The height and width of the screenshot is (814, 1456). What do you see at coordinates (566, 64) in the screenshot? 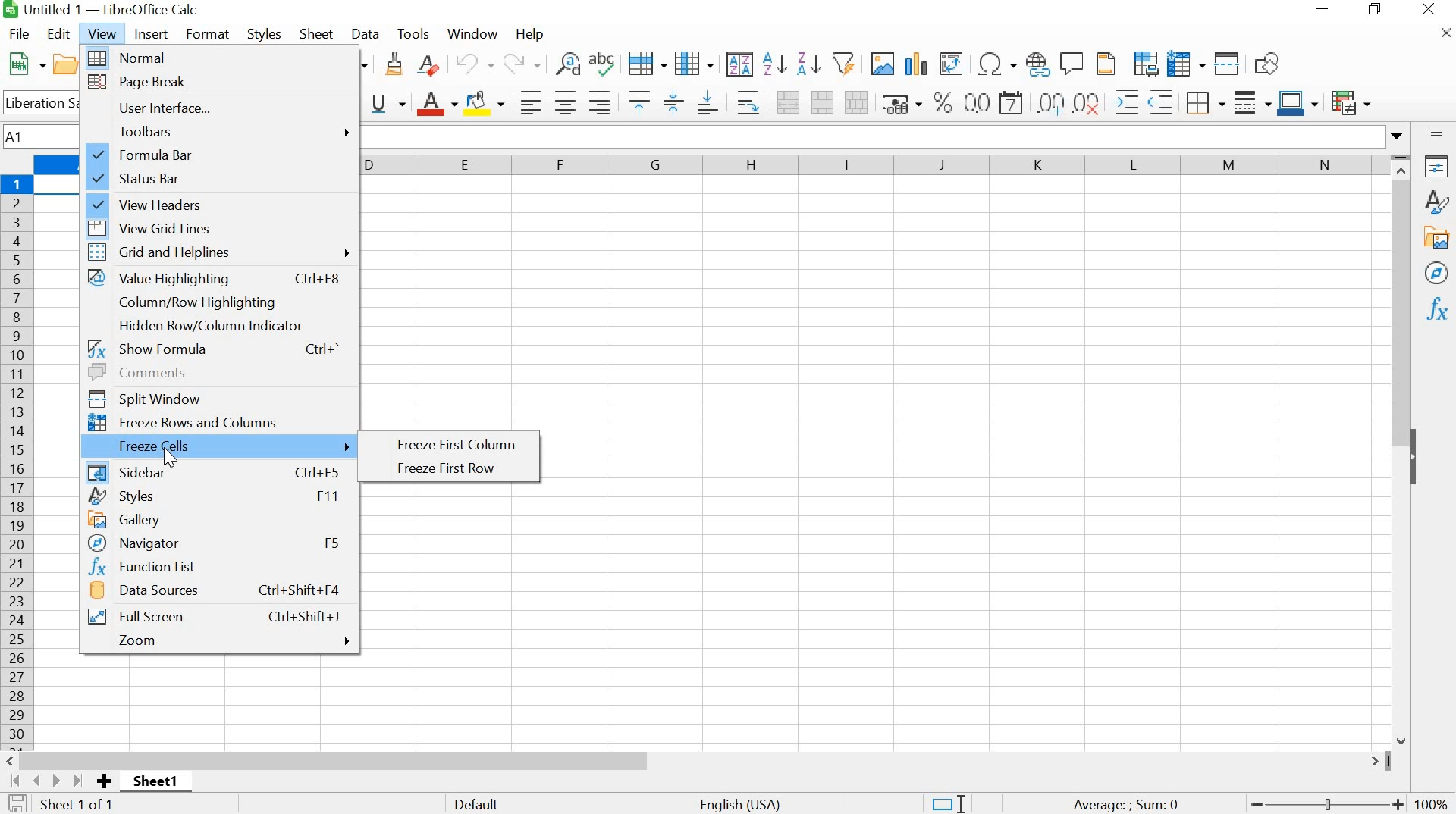
I see `FIND AND REPLACE` at bounding box center [566, 64].